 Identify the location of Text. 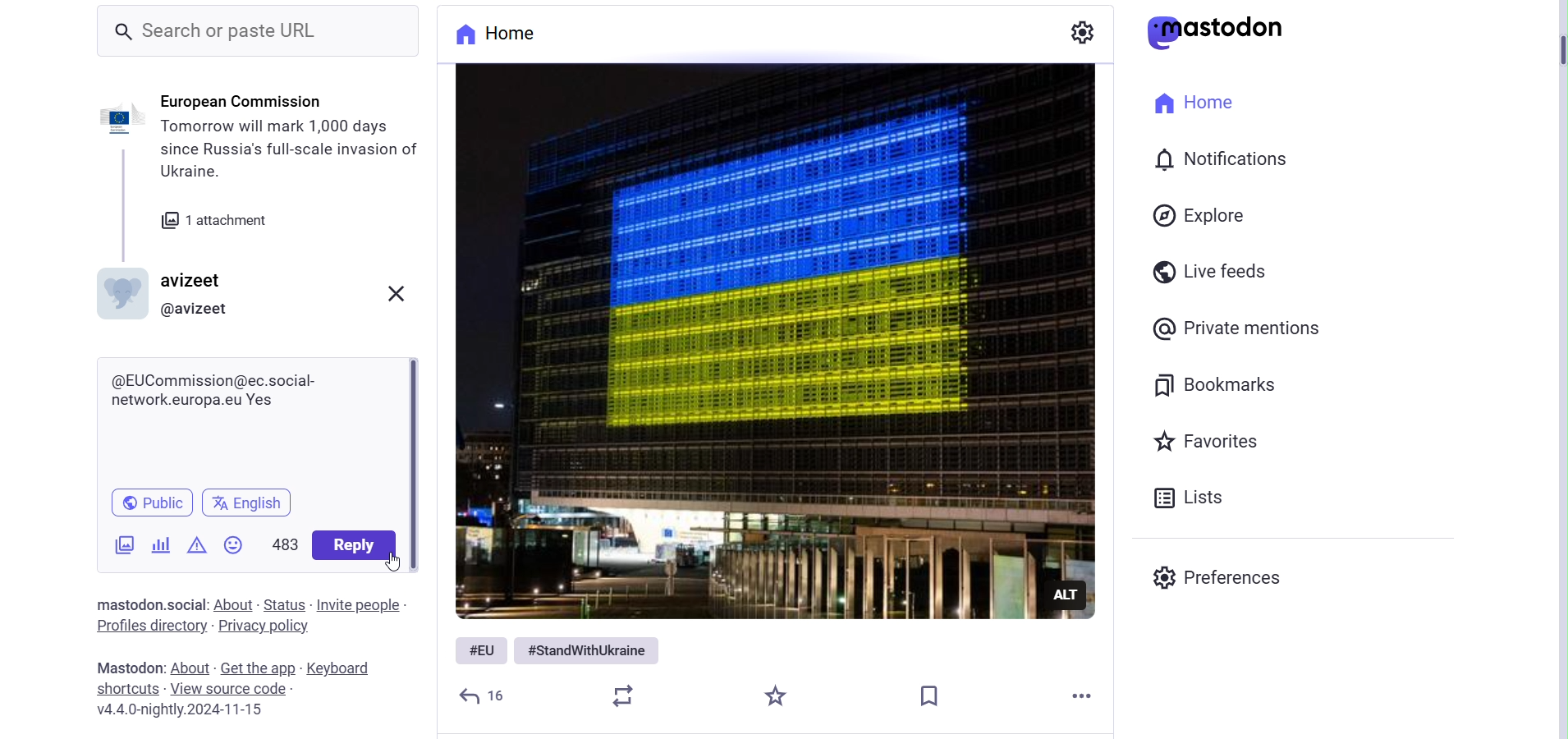
(153, 605).